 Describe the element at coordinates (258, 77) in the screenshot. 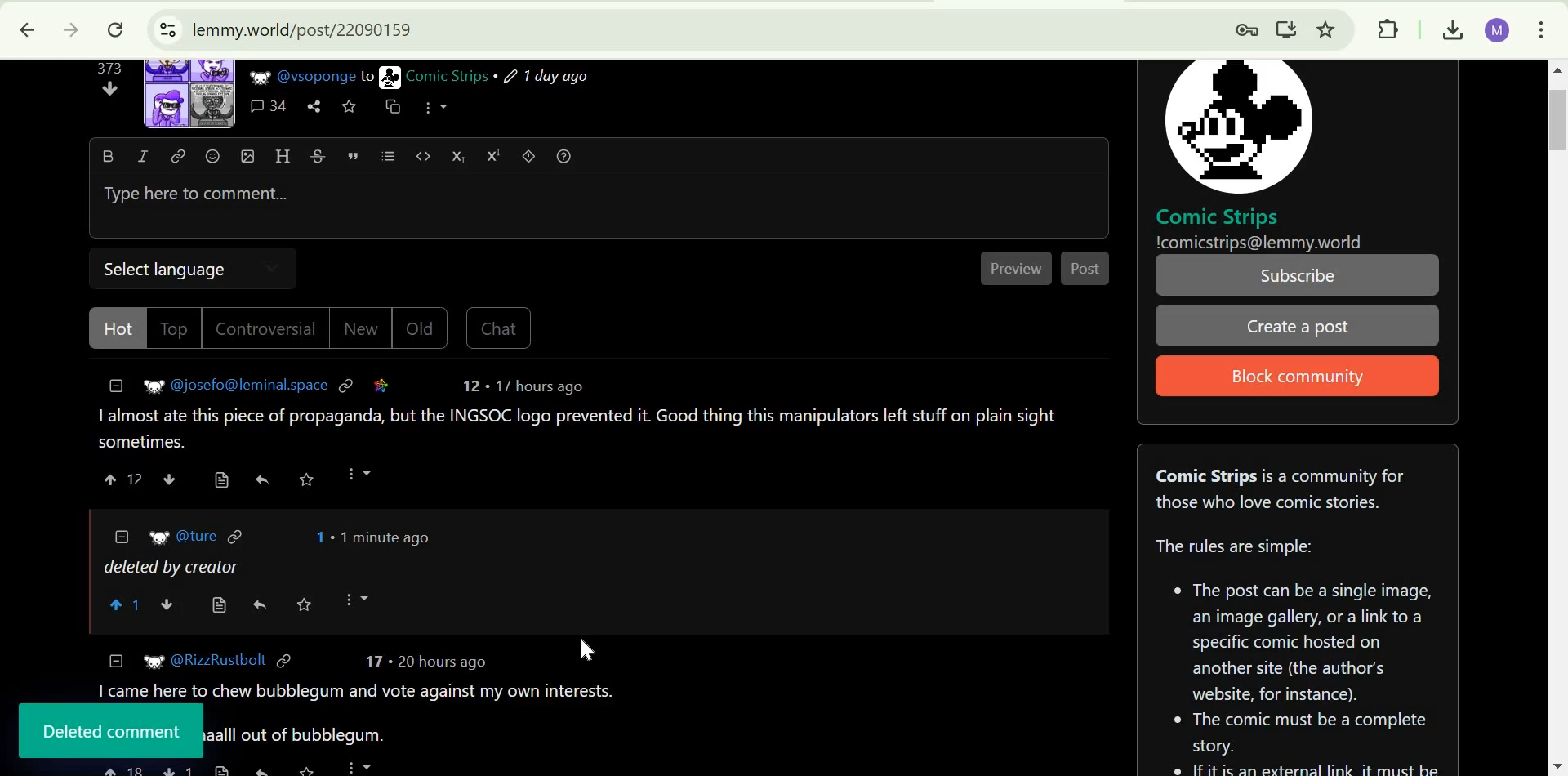

I see `picture` at that location.